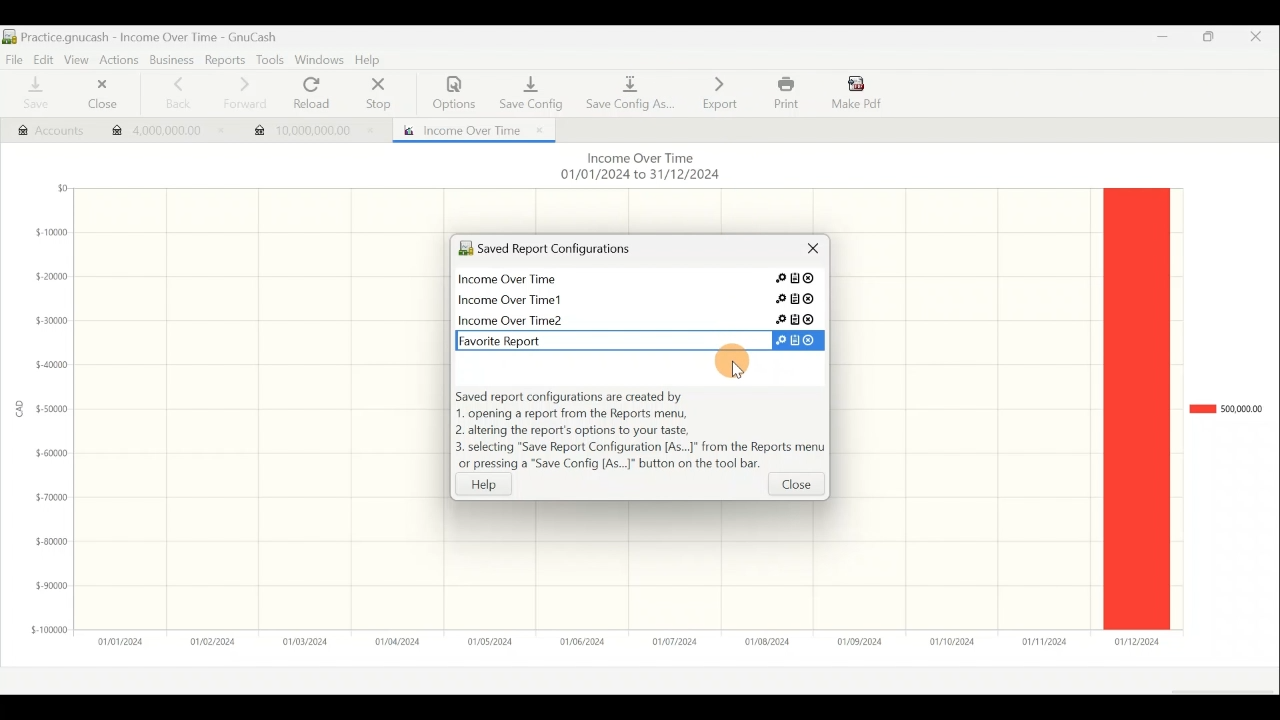  What do you see at coordinates (1136, 408) in the screenshot?
I see `Bar` at bounding box center [1136, 408].